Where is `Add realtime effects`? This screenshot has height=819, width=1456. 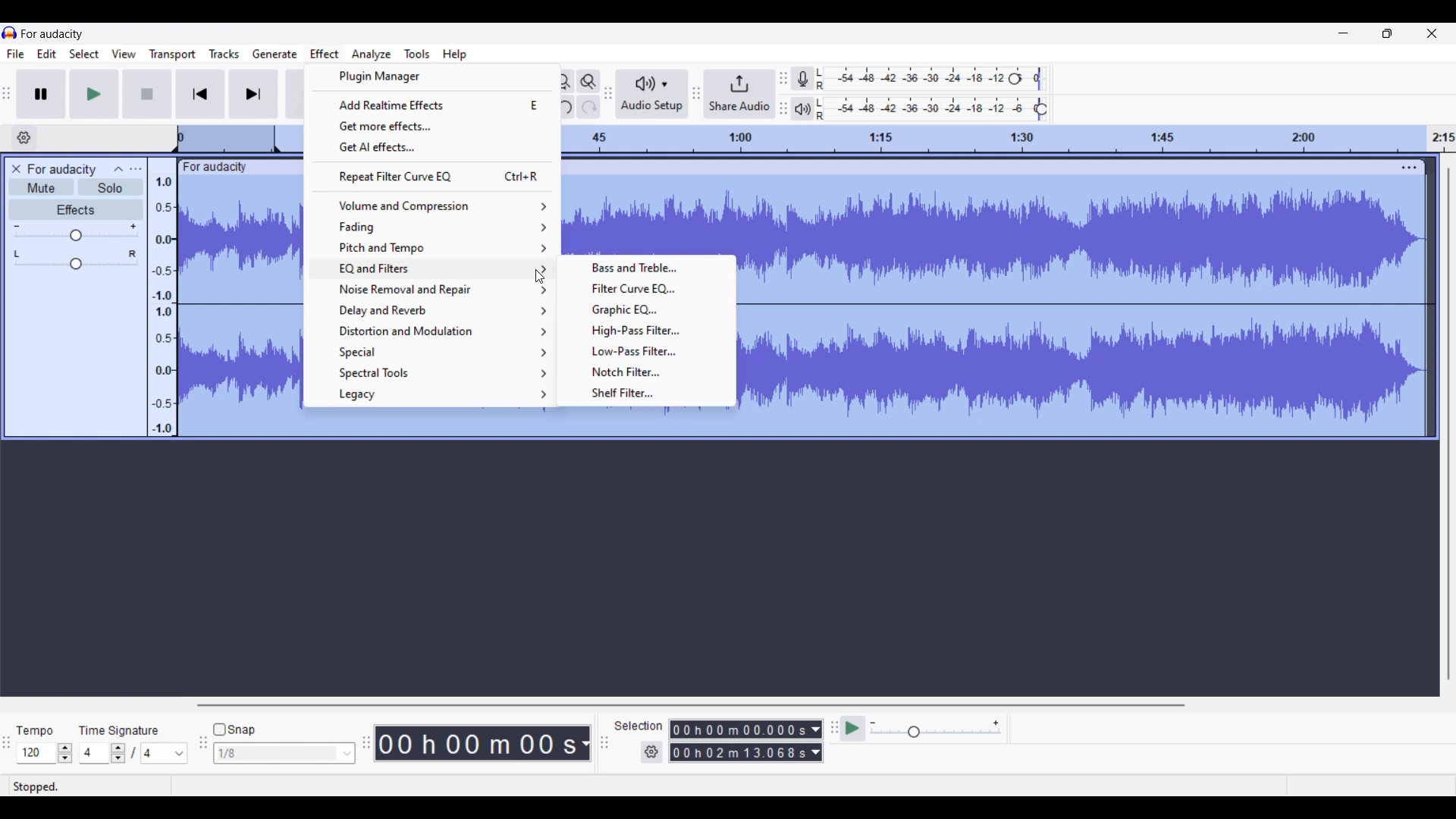
Add realtime effects is located at coordinates (431, 105).